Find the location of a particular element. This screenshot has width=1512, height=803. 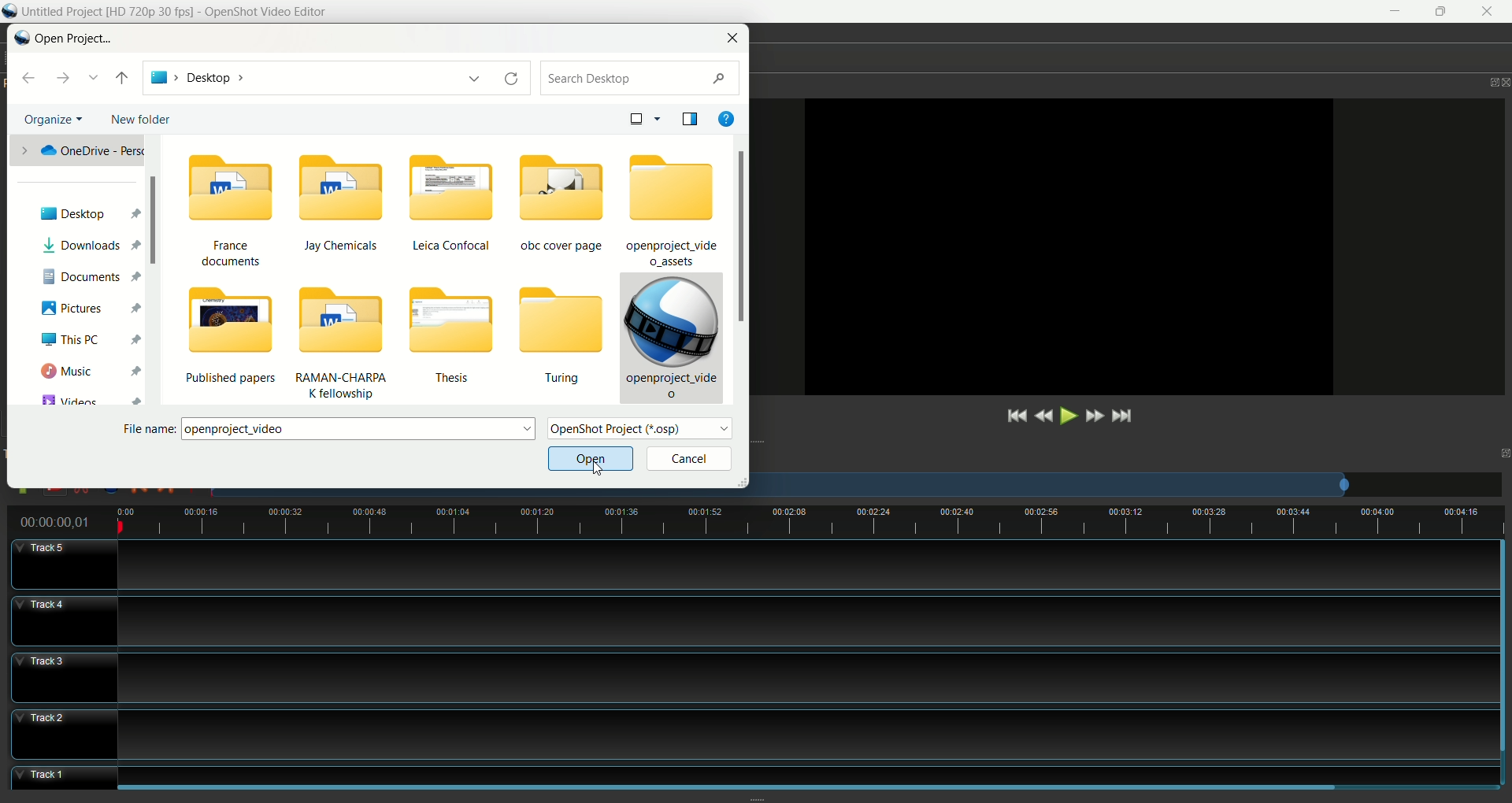

videos is located at coordinates (86, 398).